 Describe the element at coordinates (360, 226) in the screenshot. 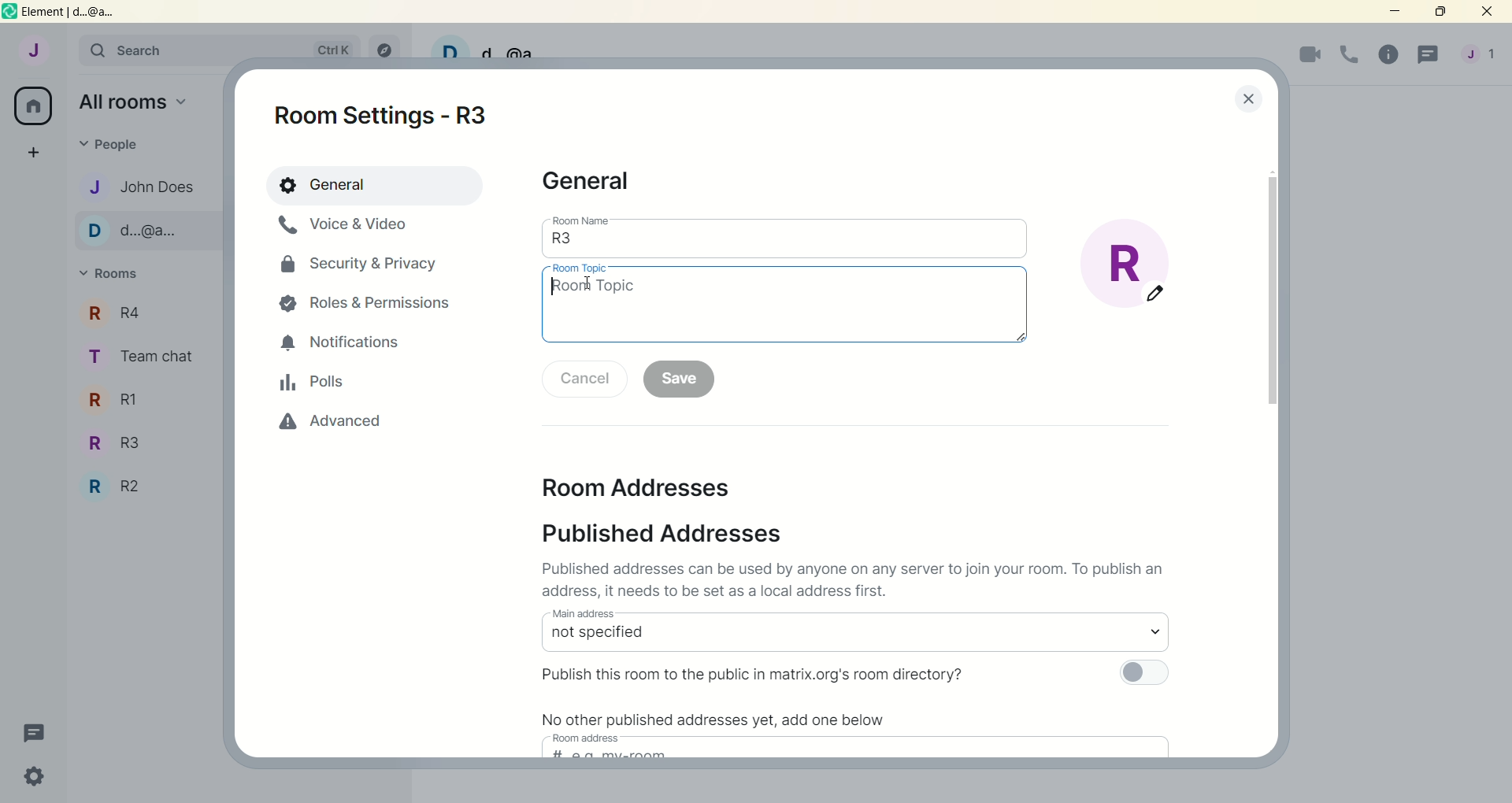

I see `voice and video` at that location.